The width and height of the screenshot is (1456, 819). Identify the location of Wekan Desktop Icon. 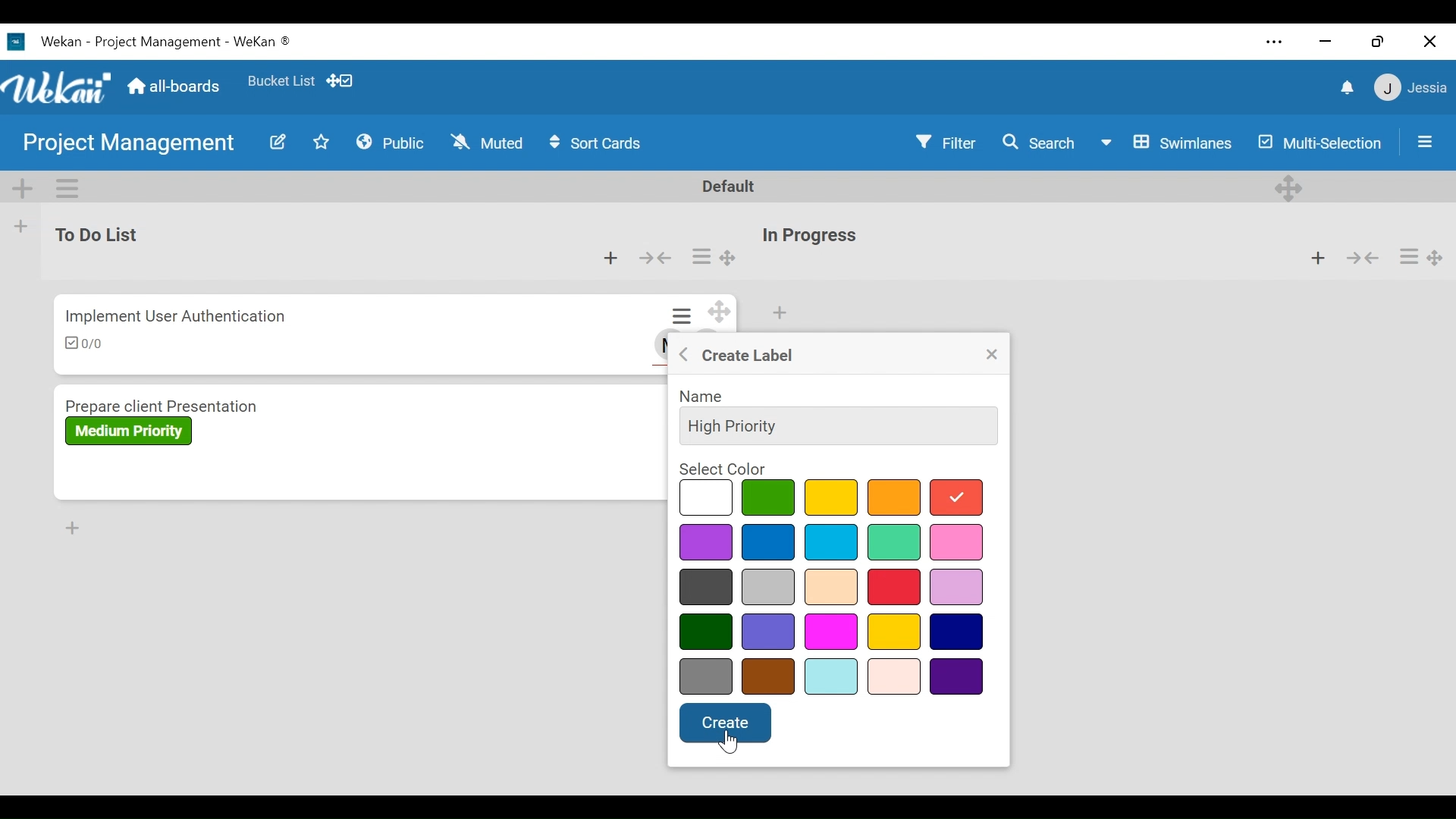
(156, 40).